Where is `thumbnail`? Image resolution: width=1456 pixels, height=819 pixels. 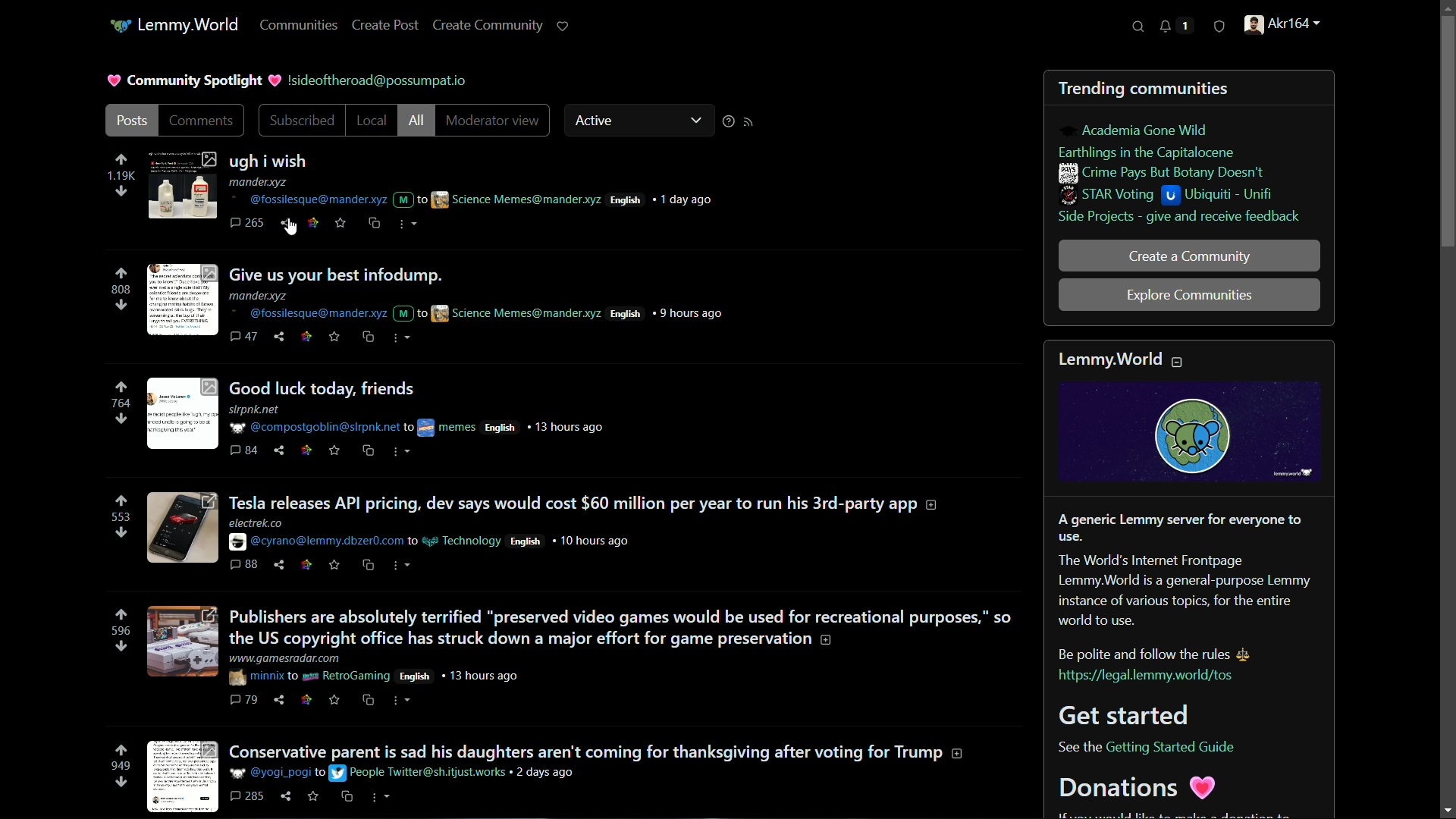 thumbnail is located at coordinates (184, 297).